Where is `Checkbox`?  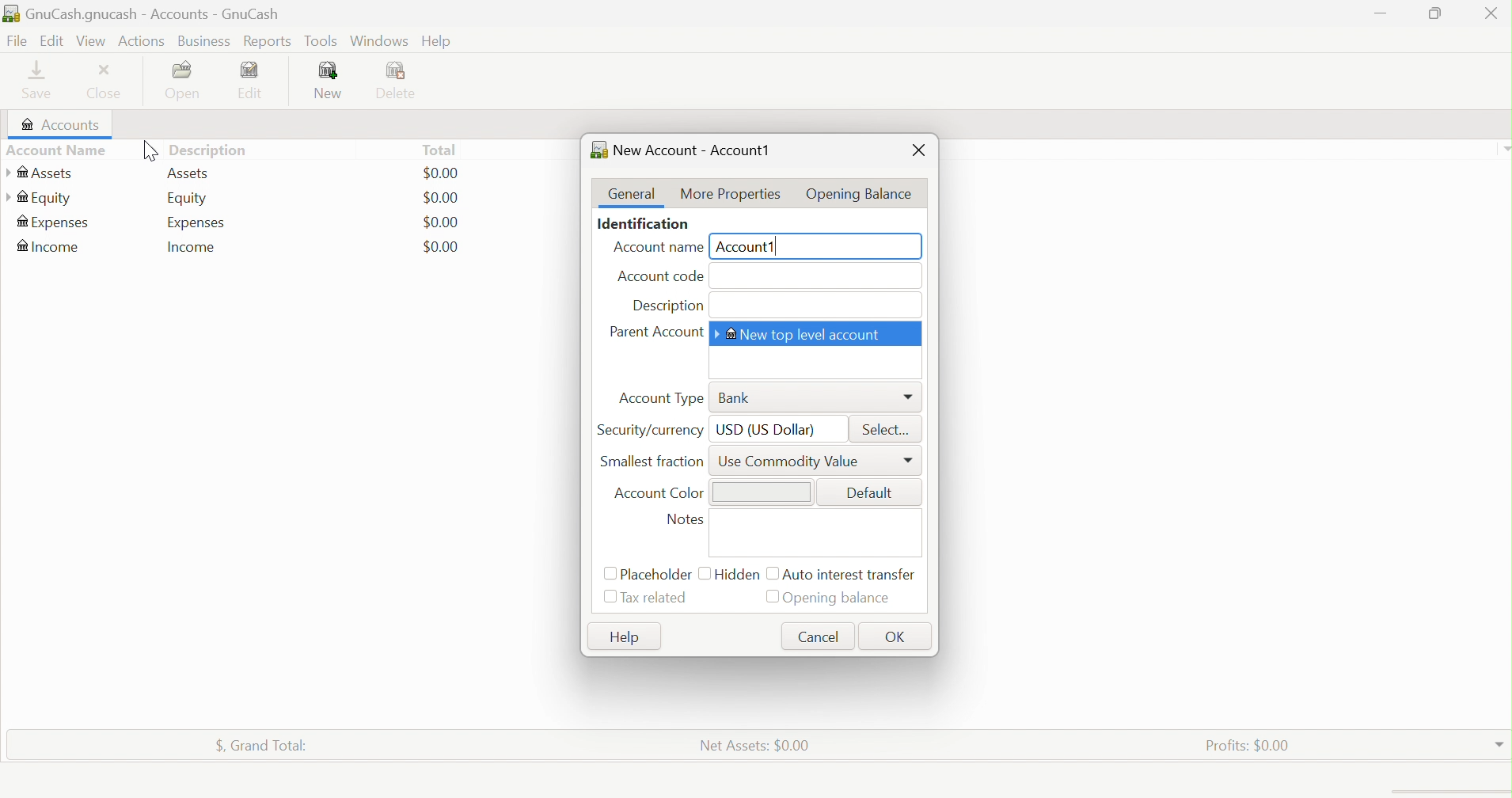
Checkbox is located at coordinates (770, 574).